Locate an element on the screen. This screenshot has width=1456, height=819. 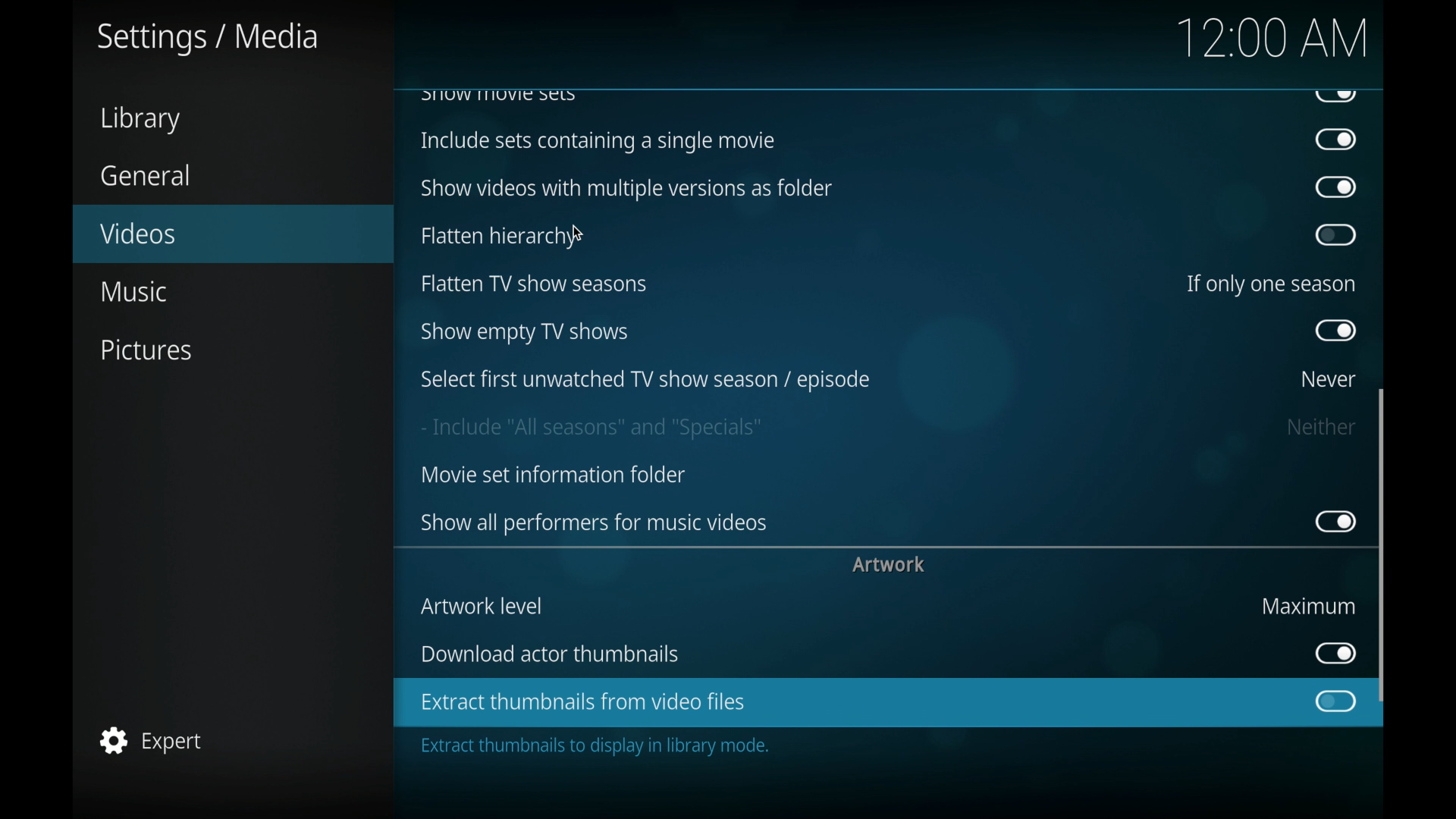
pictures is located at coordinates (150, 350).